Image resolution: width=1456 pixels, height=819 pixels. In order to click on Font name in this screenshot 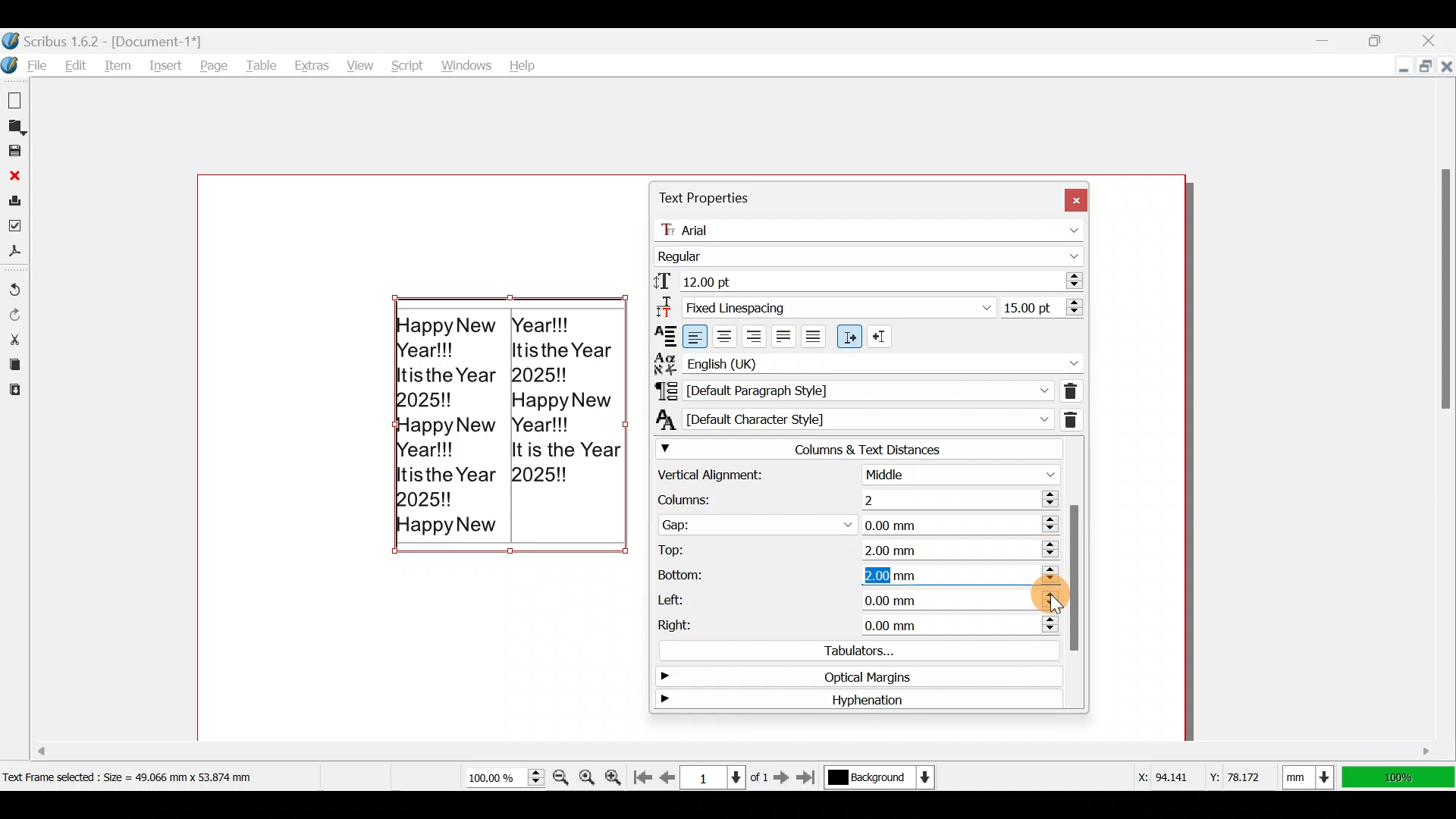, I will do `click(873, 227)`.